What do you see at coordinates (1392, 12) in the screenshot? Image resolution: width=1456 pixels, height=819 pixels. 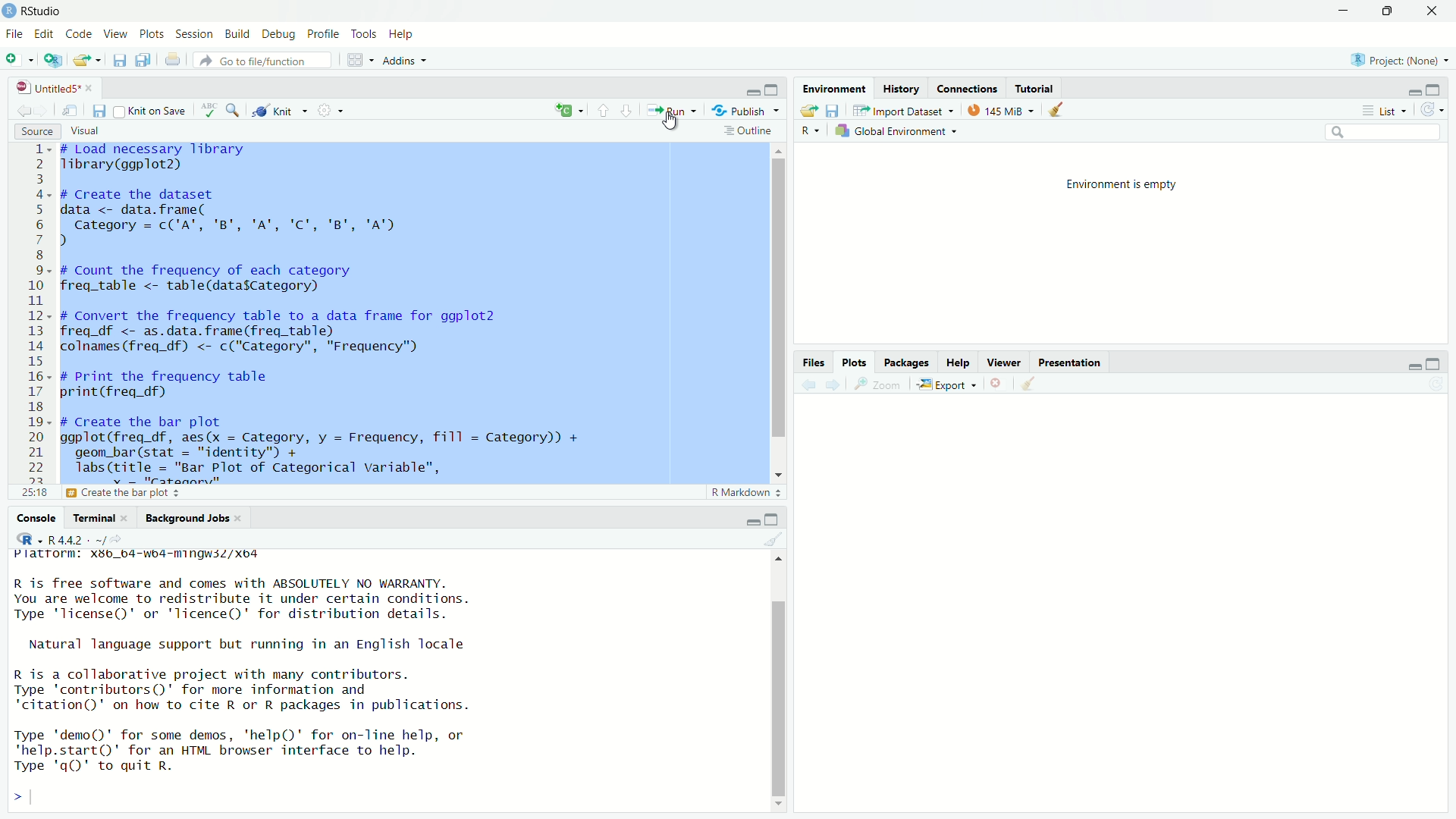 I see `maximize` at bounding box center [1392, 12].